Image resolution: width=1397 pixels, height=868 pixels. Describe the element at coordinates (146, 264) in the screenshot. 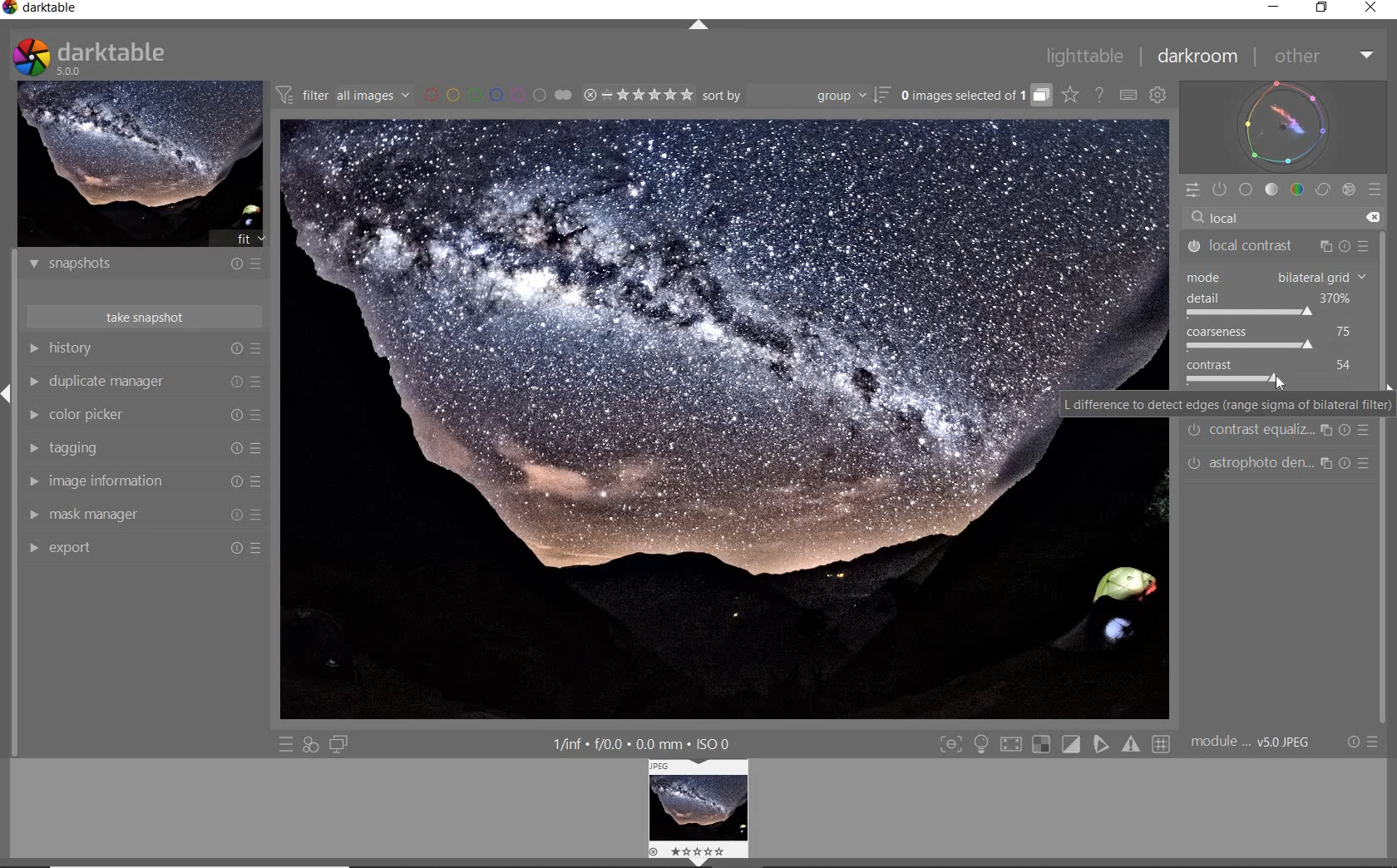

I see `SNAPSHOTS` at that location.